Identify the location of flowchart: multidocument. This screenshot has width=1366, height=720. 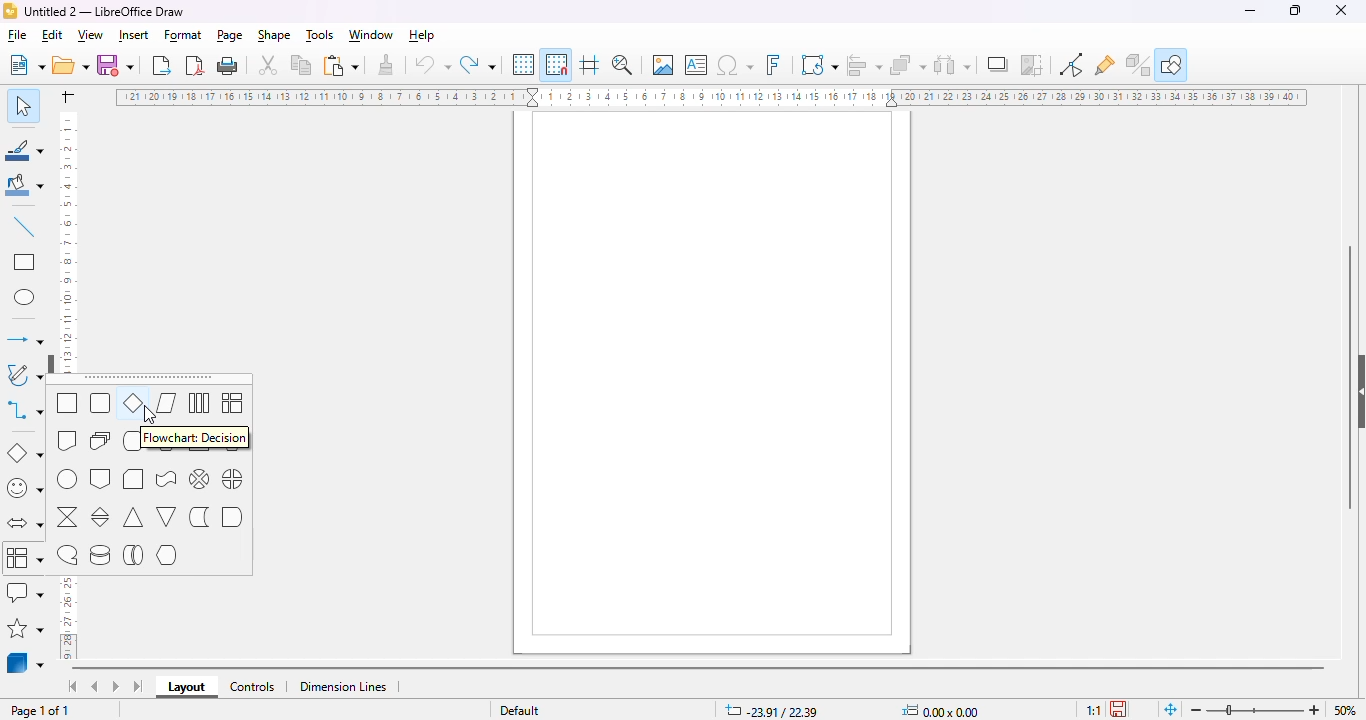
(102, 440).